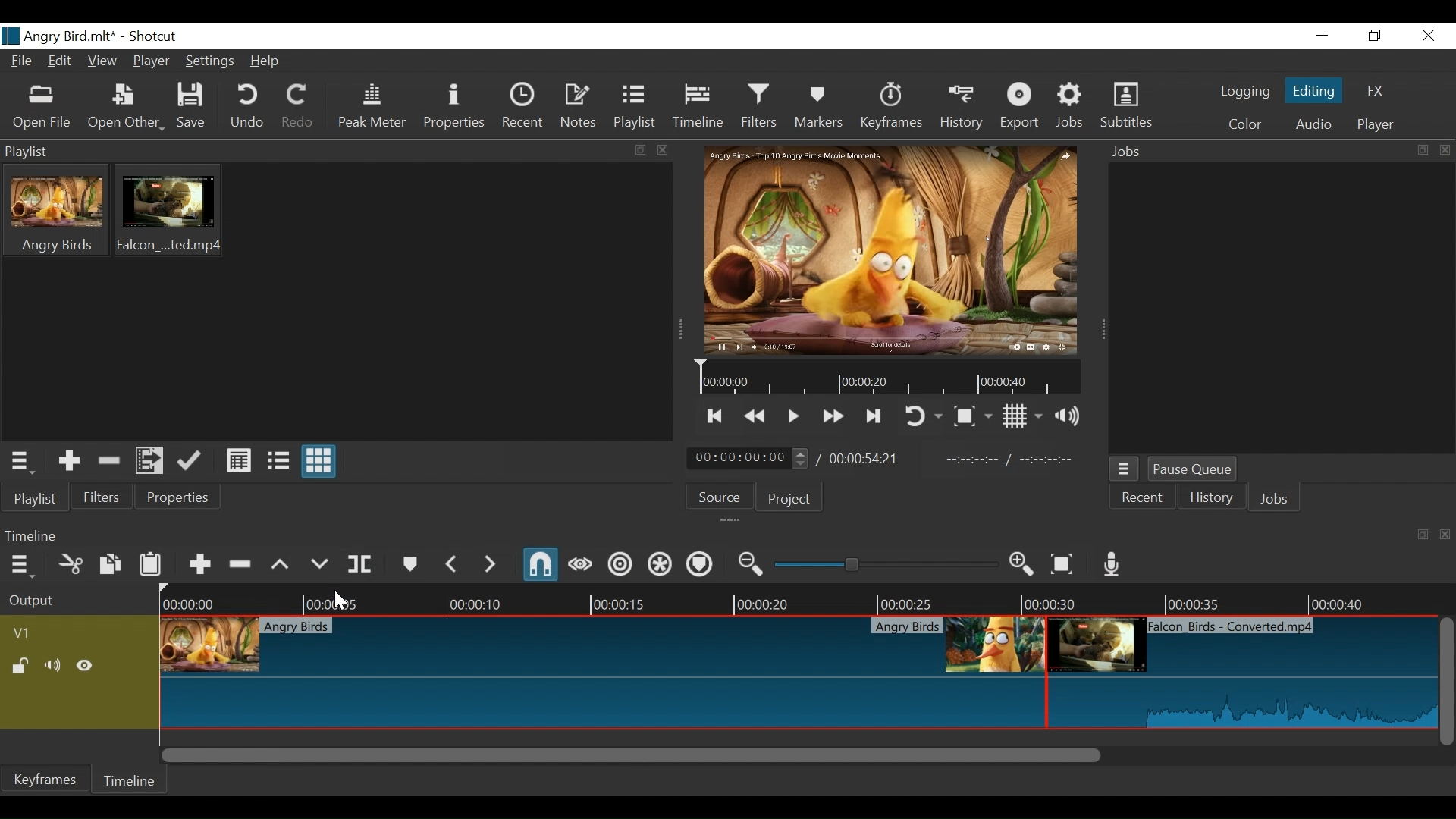 The height and width of the screenshot is (819, 1456). Describe the element at coordinates (759, 106) in the screenshot. I see `Filters` at that location.